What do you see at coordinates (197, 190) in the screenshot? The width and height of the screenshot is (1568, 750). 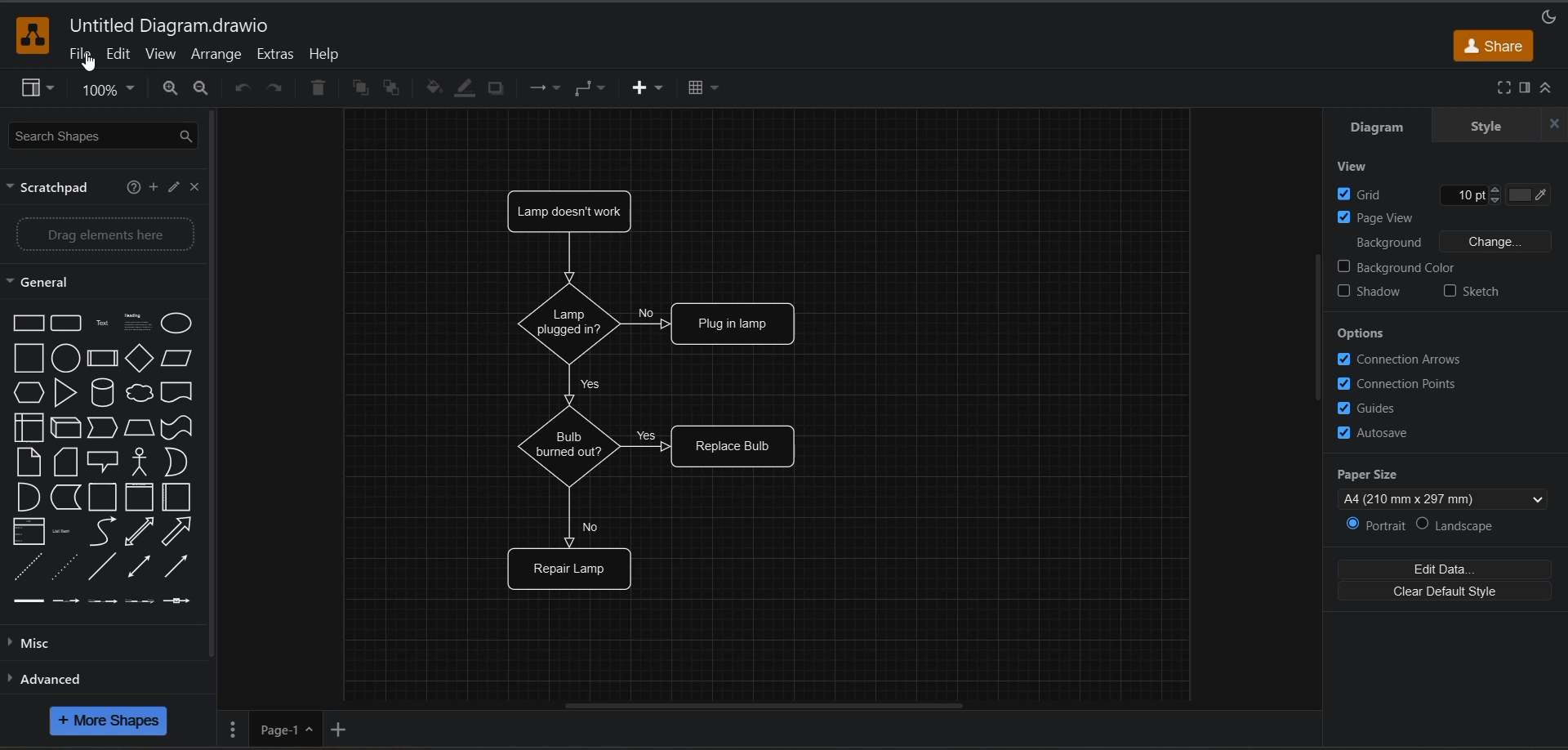 I see `close` at bounding box center [197, 190].